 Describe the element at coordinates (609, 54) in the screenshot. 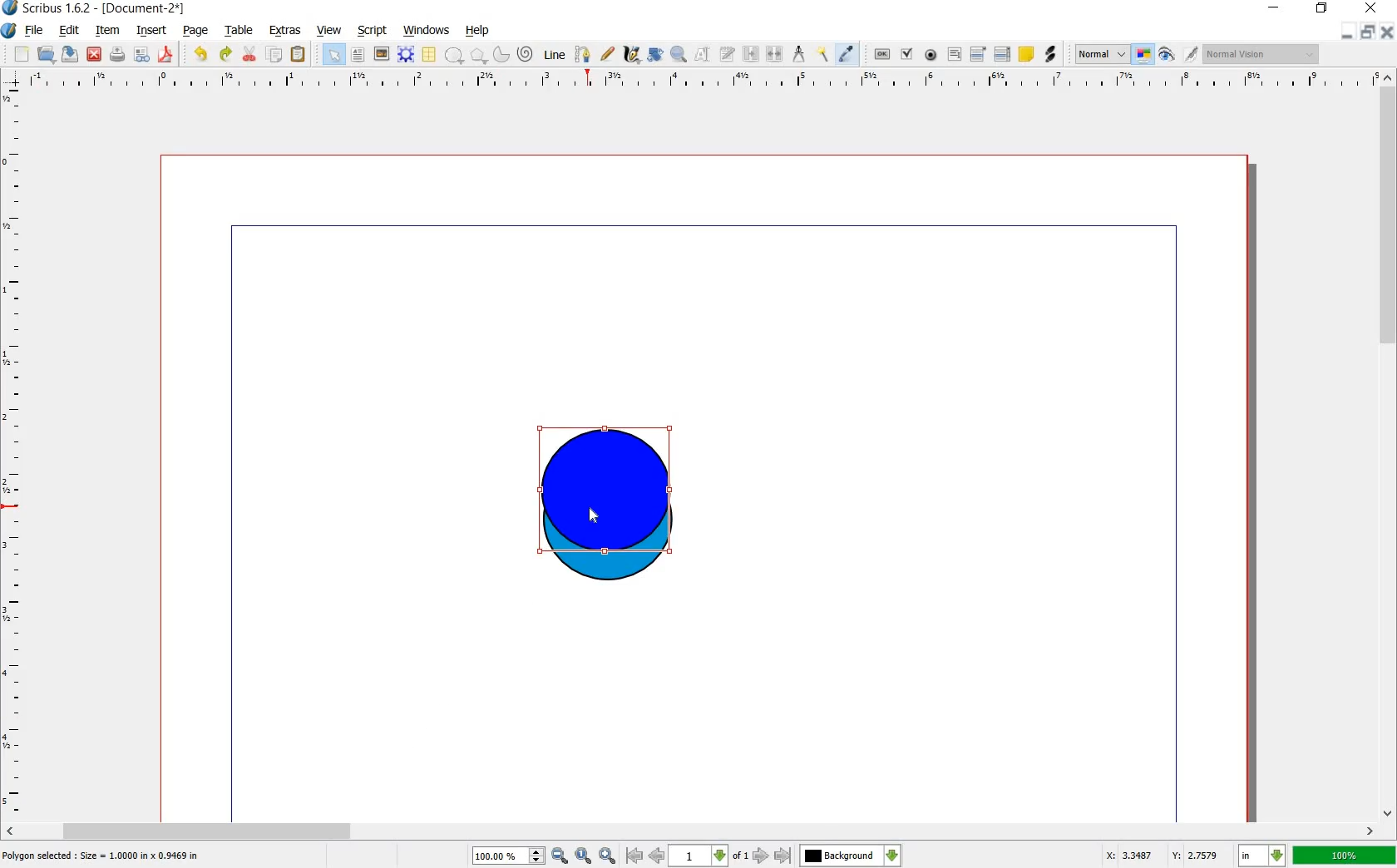

I see `freehand line` at that location.